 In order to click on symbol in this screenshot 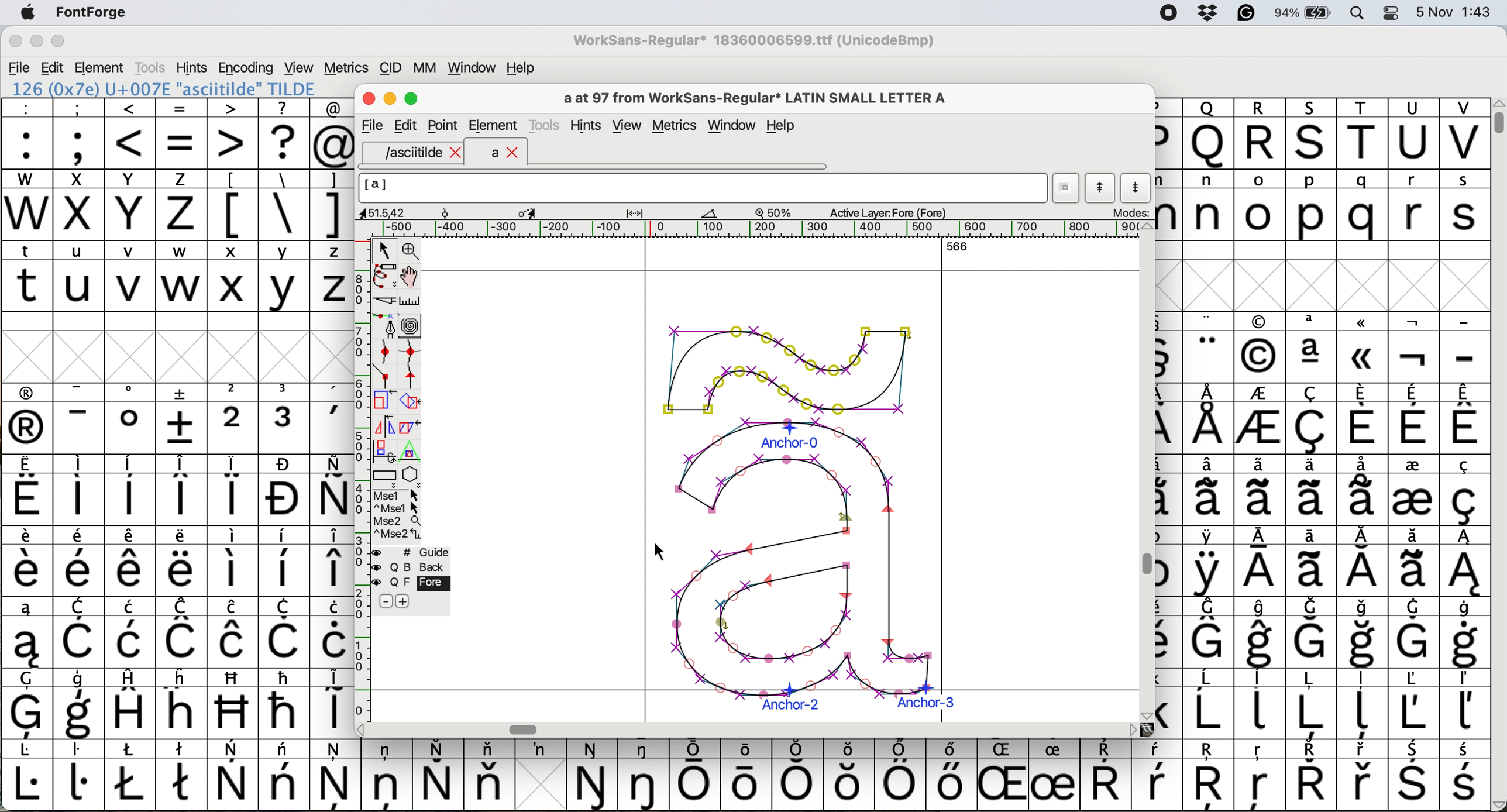, I will do `click(646, 775)`.